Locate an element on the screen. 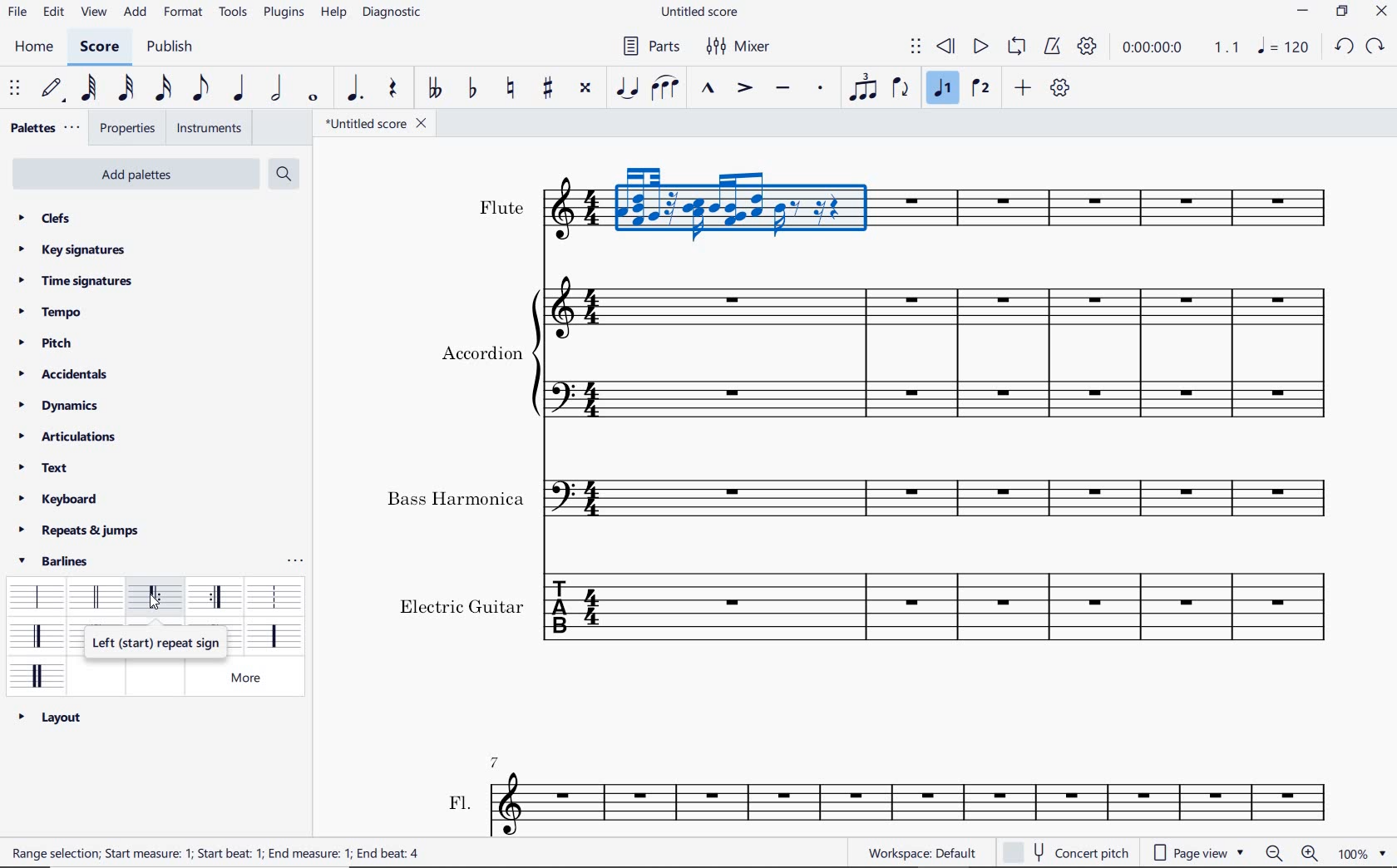  left (start) repeat sign is located at coordinates (154, 643).